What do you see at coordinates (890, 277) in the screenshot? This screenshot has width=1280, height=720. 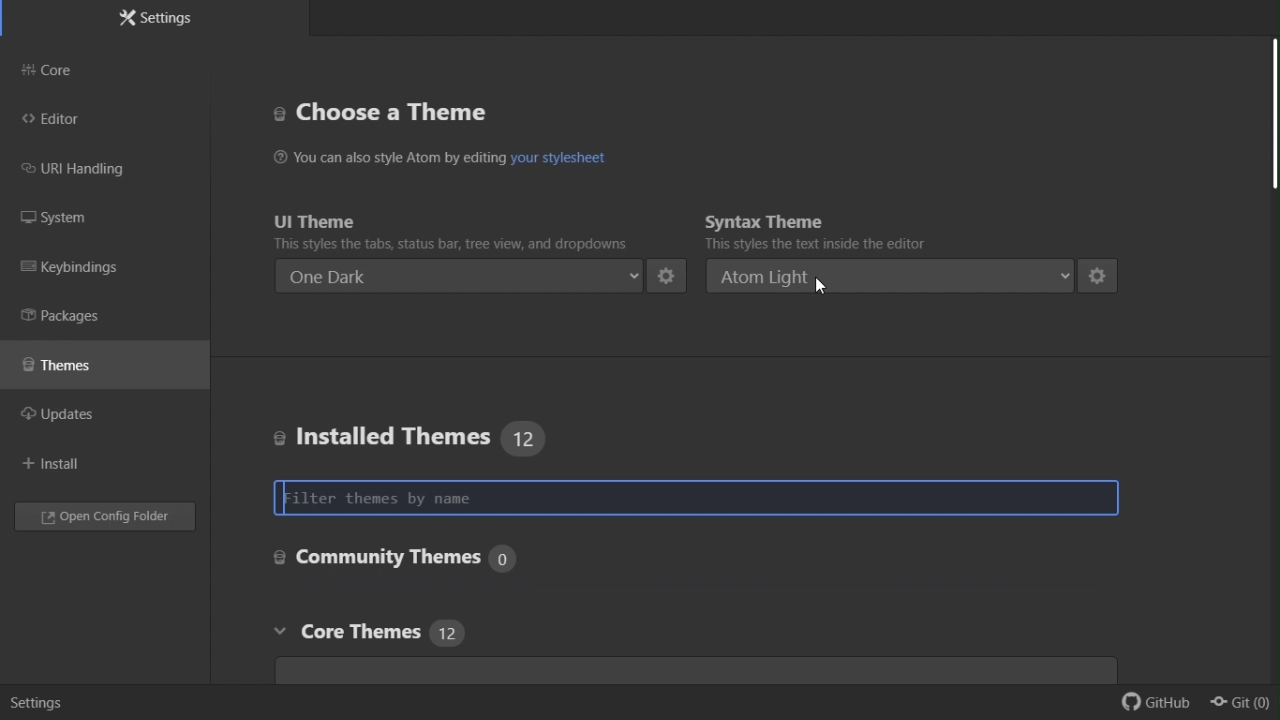 I see `atom light` at bounding box center [890, 277].